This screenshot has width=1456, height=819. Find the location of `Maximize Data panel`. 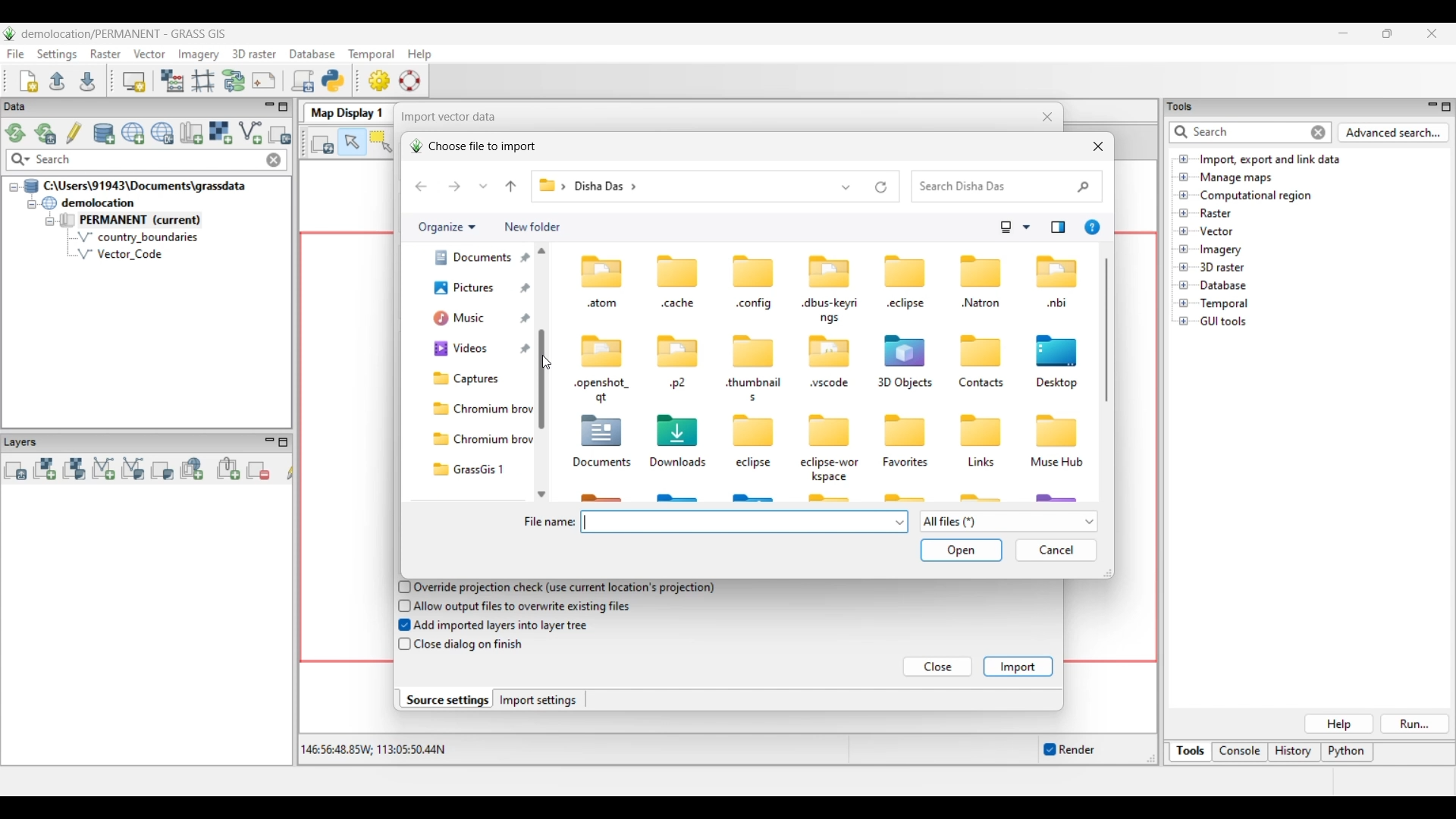

Maximize Data panel is located at coordinates (284, 107).